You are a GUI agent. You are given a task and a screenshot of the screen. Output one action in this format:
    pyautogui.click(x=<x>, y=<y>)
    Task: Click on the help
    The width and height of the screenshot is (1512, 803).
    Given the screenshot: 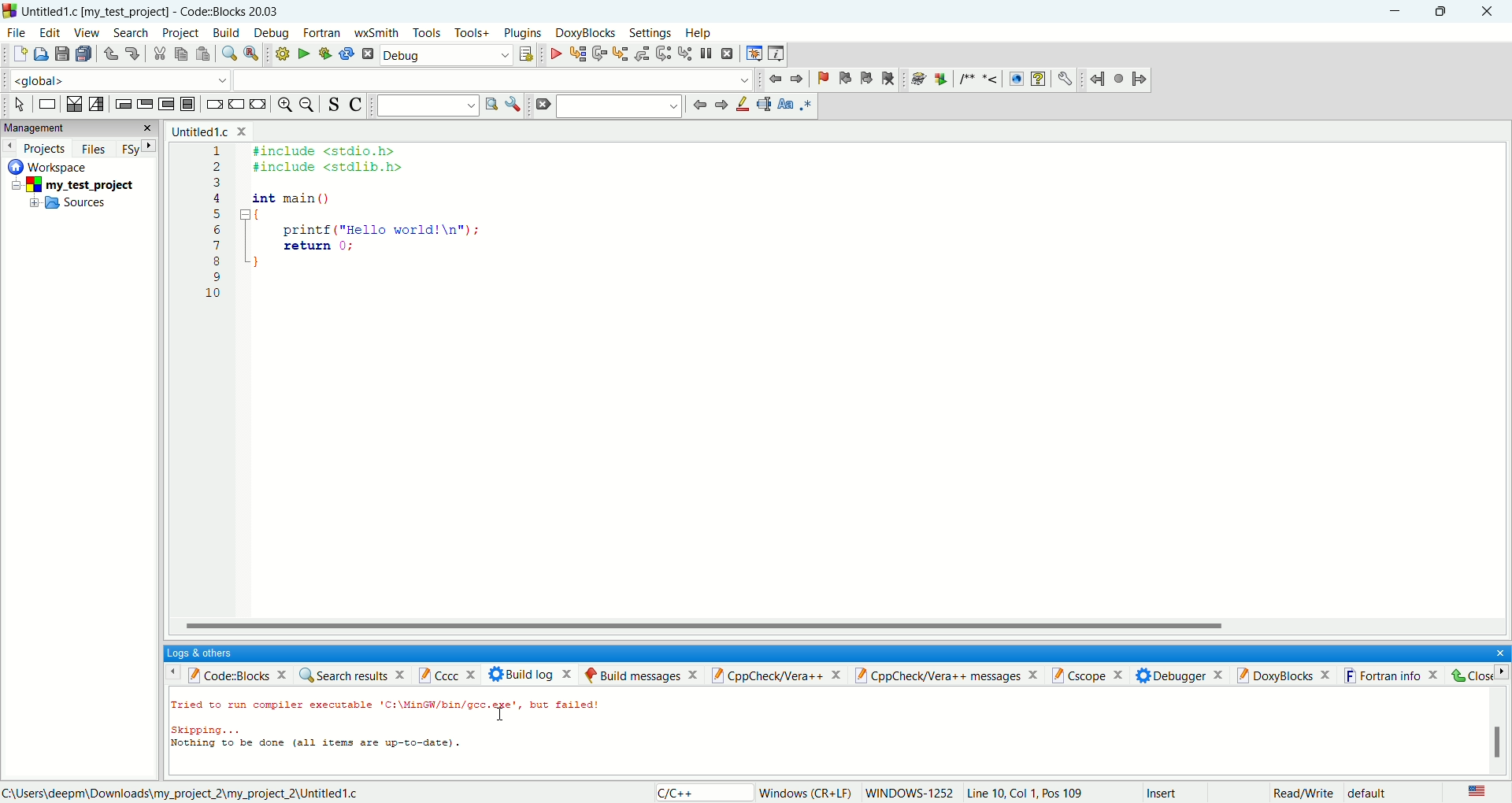 What is the action you would take?
    pyautogui.click(x=697, y=34)
    